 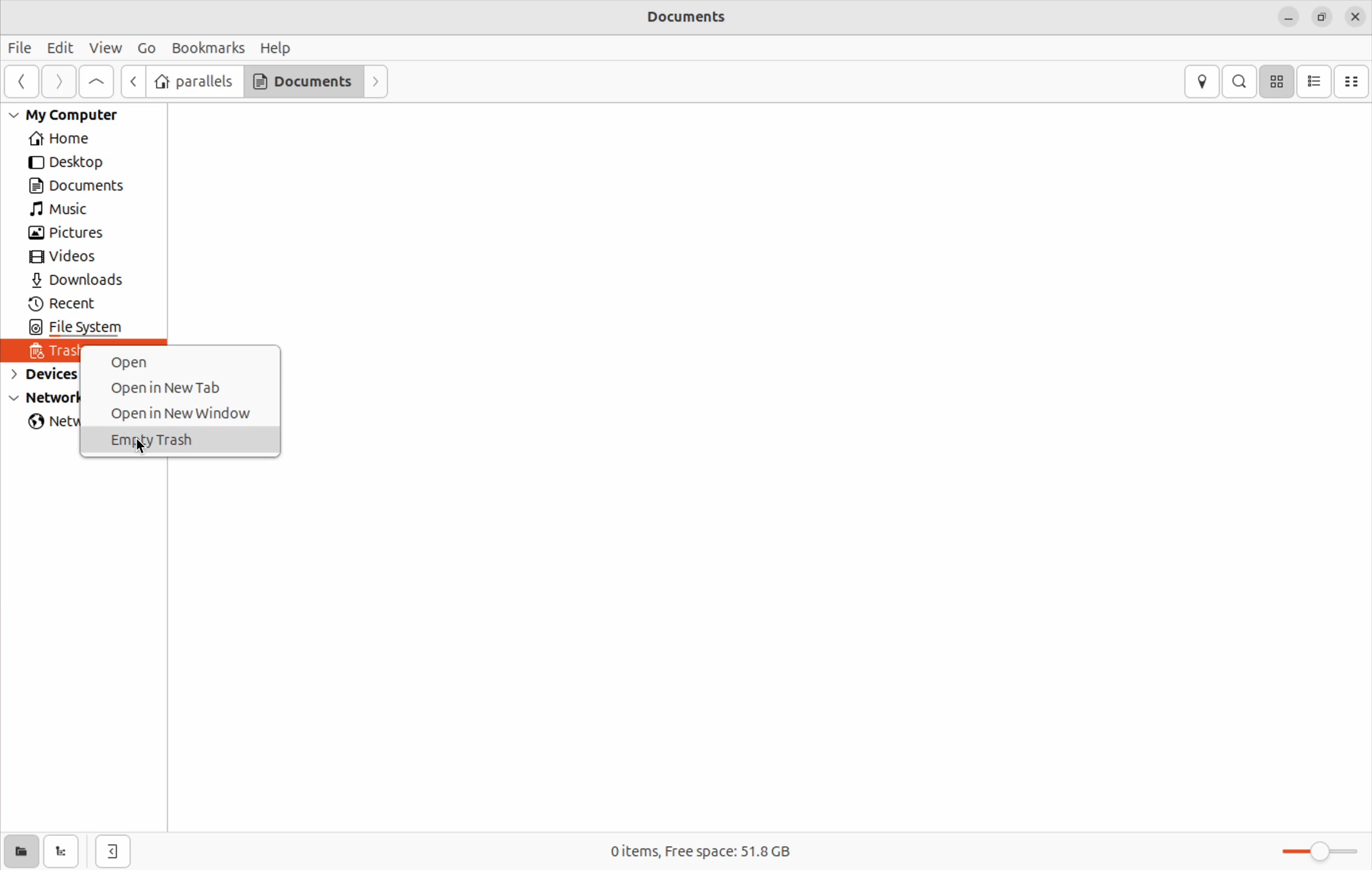 I want to click on devices, so click(x=43, y=374).